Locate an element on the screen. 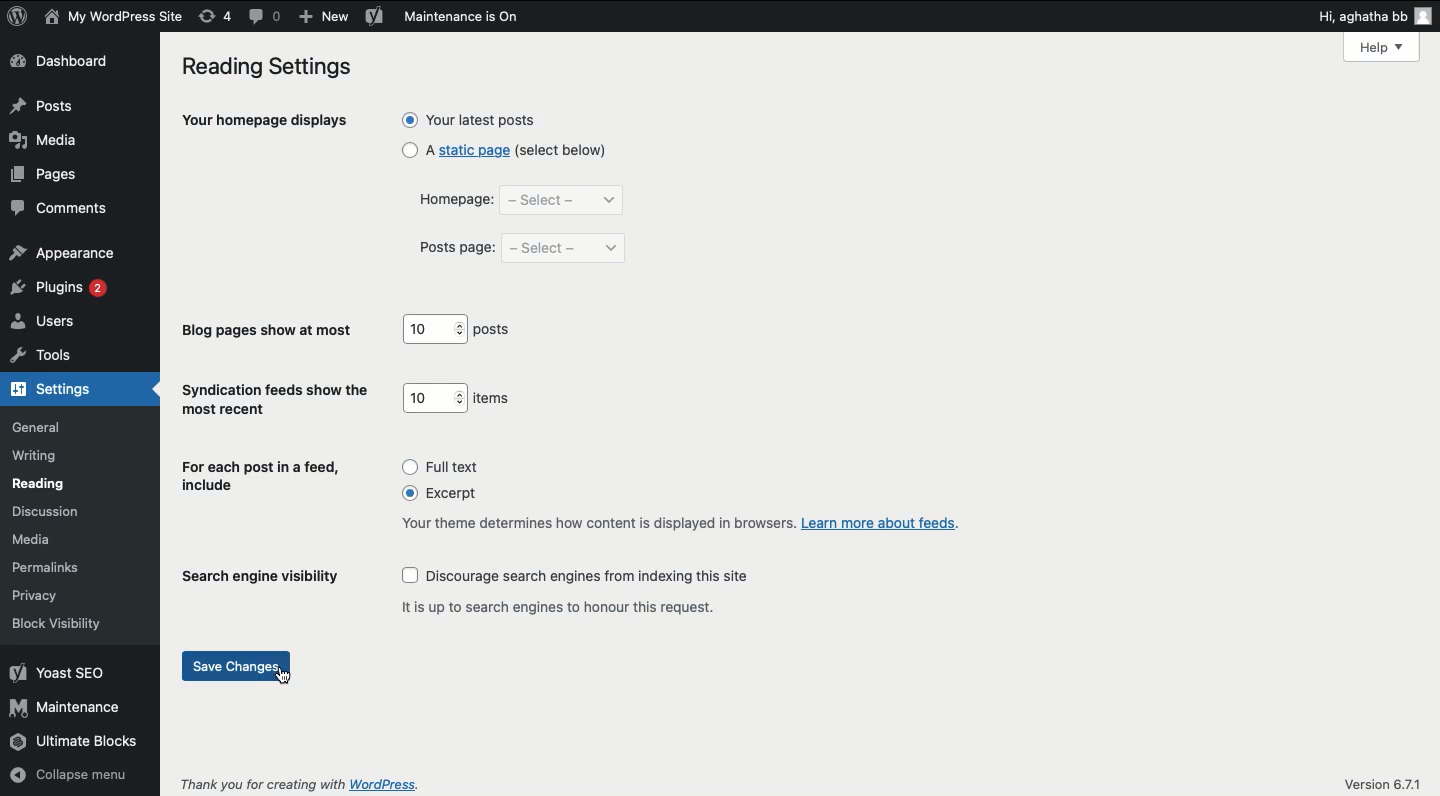 The width and height of the screenshot is (1440, 796). select is located at coordinates (564, 249).